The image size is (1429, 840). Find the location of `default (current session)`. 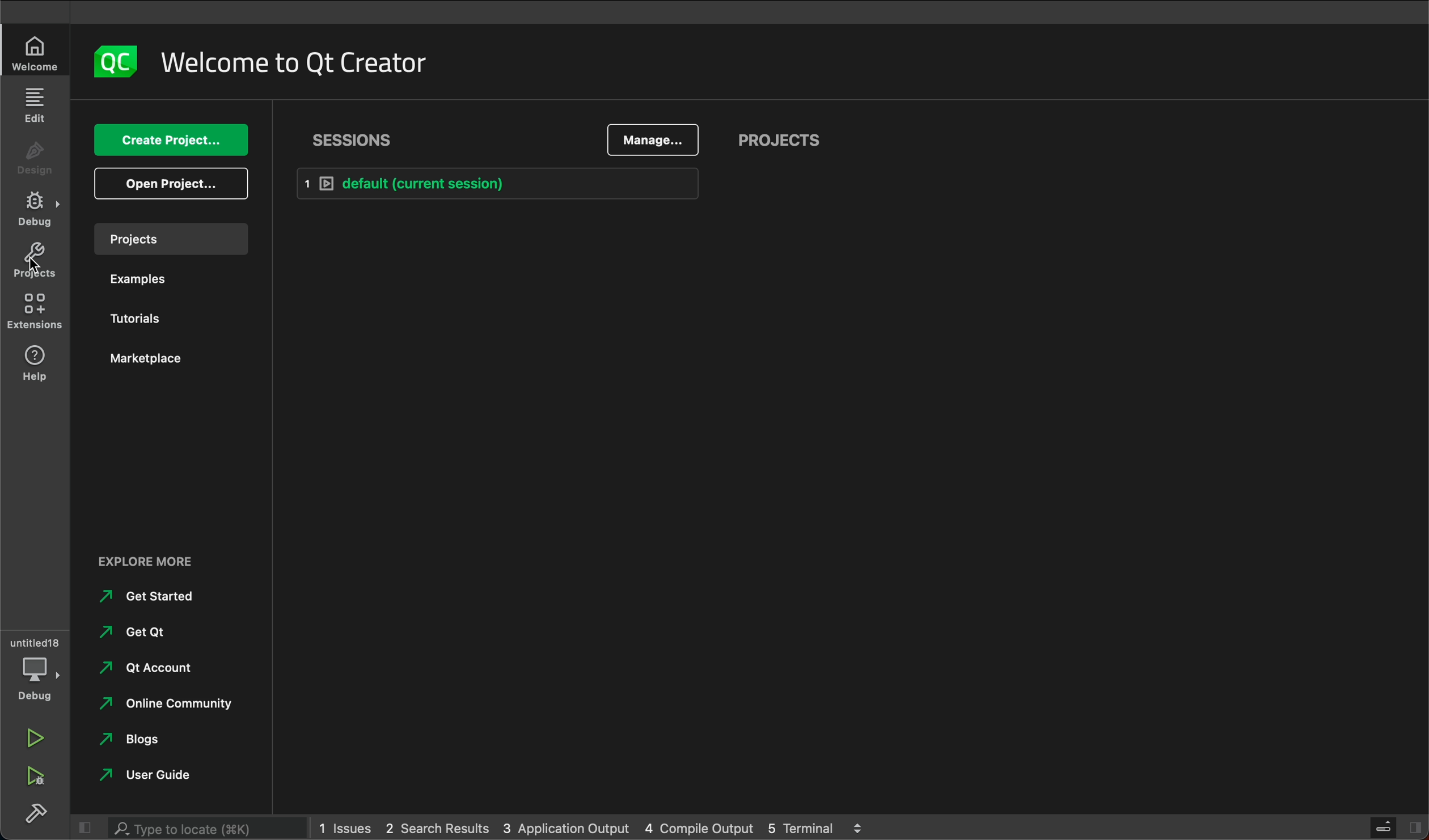

default (current session) is located at coordinates (497, 183).